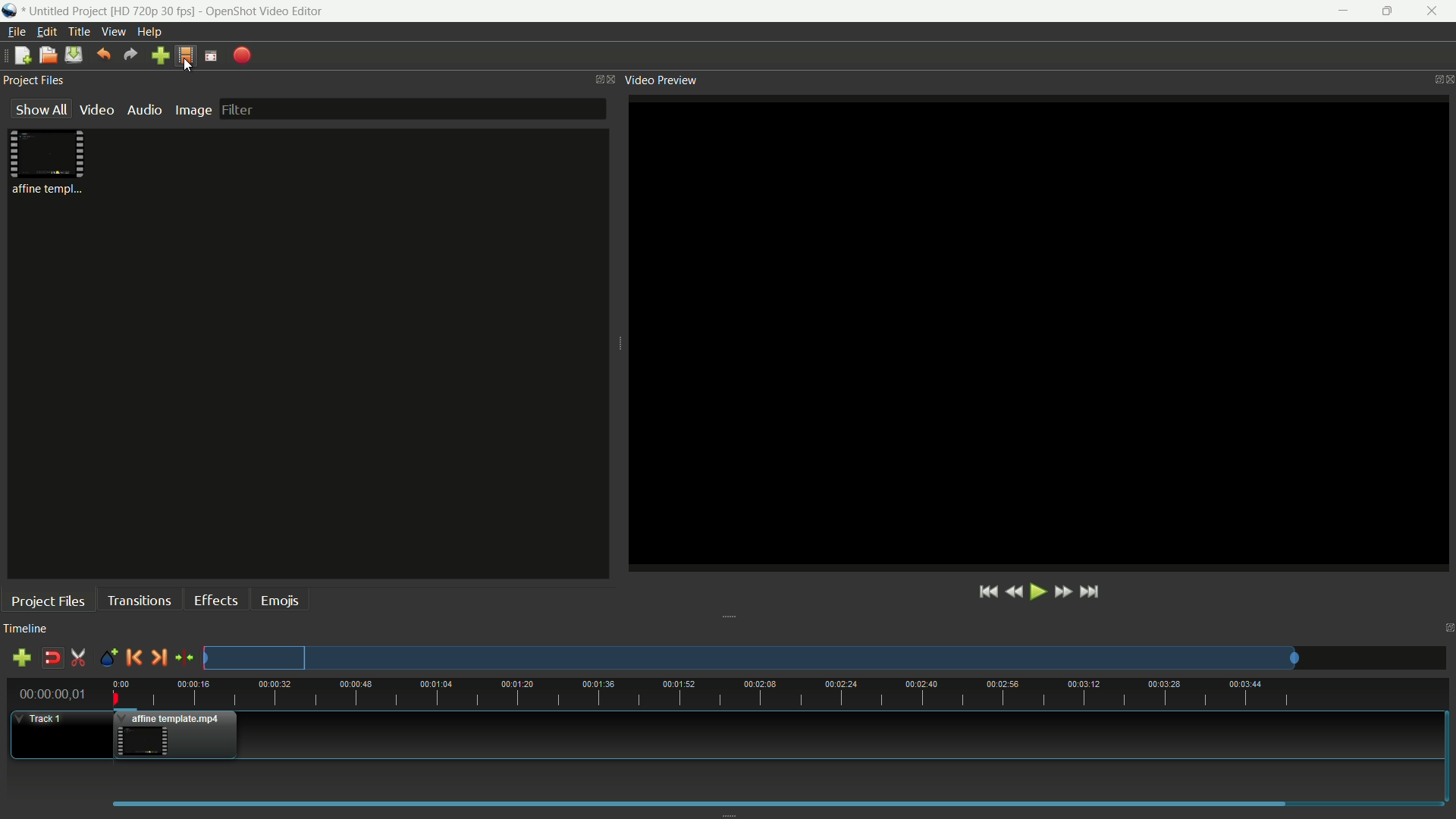 This screenshot has width=1456, height=819. I want to click on export, so click(241, 56).